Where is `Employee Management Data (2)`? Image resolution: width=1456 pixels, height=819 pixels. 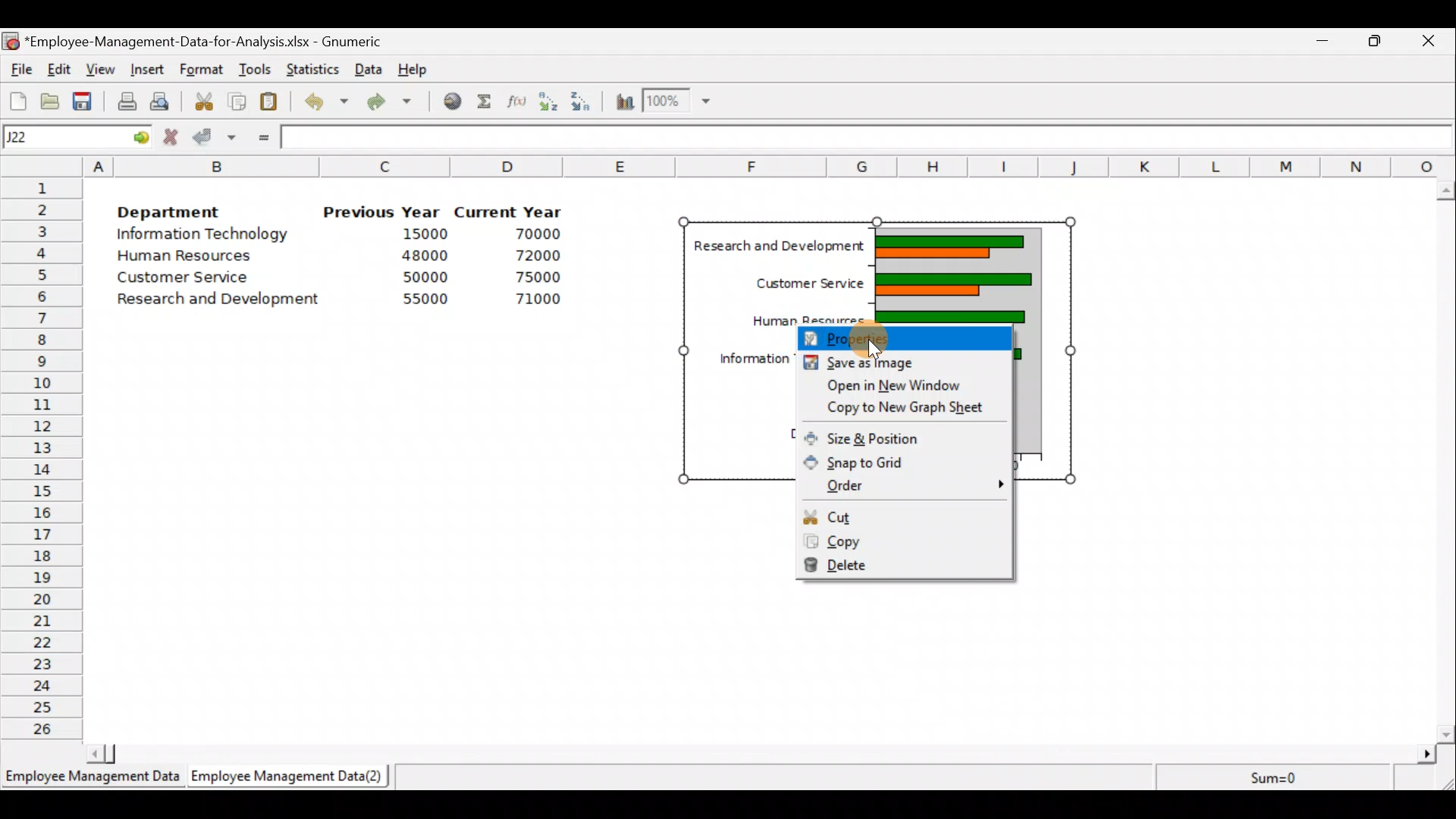 Employee Management Data (2) is located at coordinates (290, 777).